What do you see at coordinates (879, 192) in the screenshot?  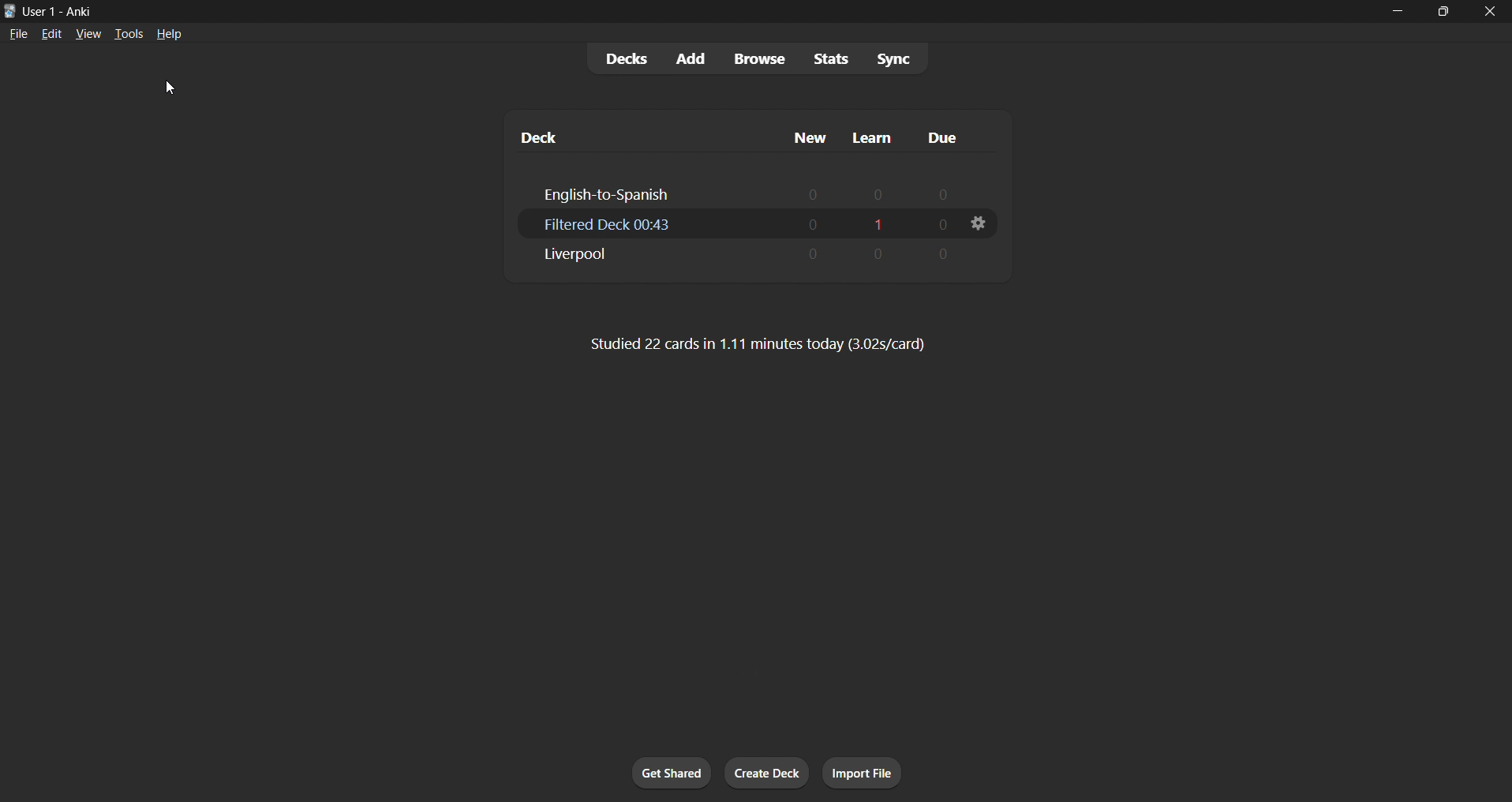 I see `0` at bounding box center [879, 192].